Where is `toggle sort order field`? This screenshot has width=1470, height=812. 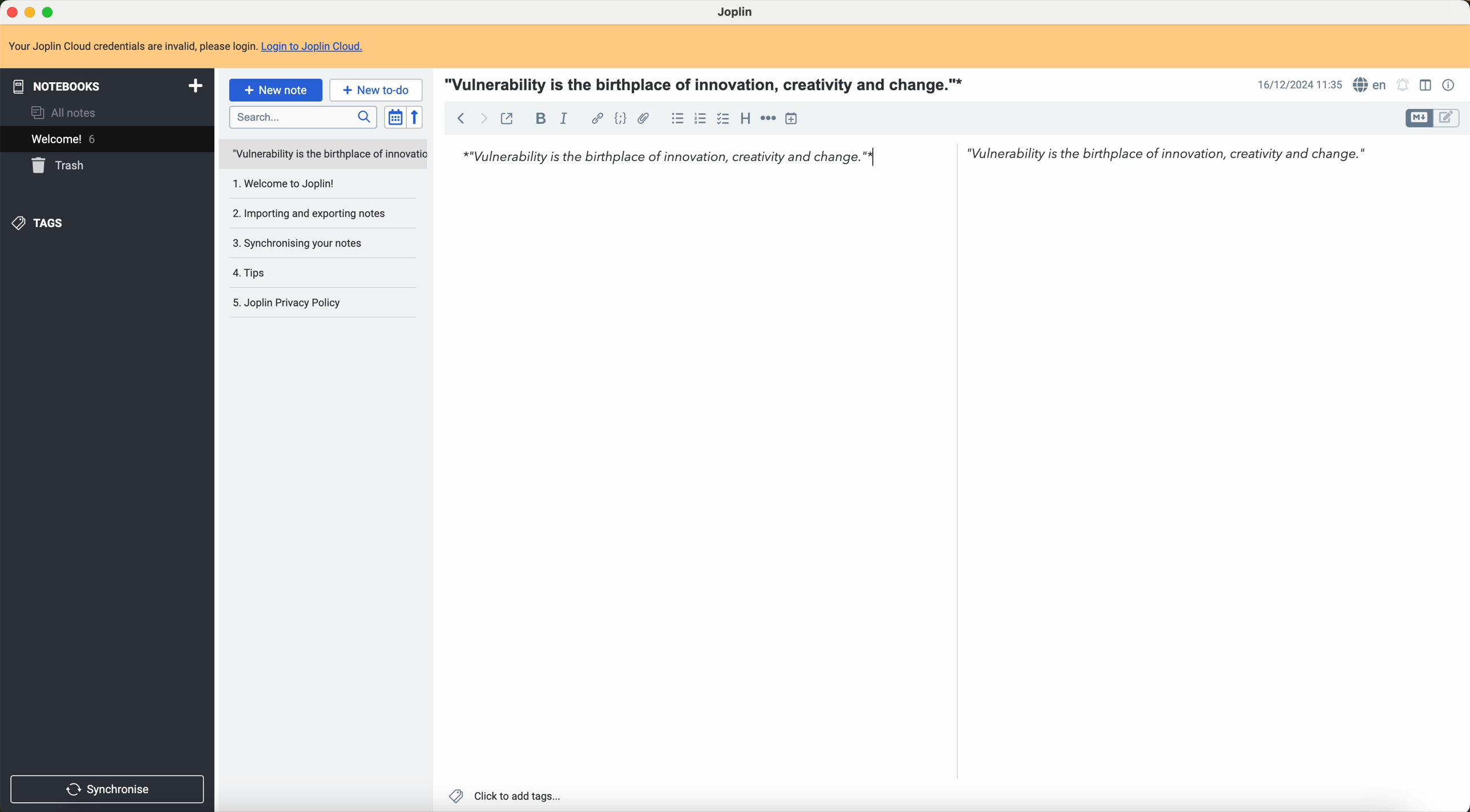
toggle sort order field is located at coordinates (393, 118).